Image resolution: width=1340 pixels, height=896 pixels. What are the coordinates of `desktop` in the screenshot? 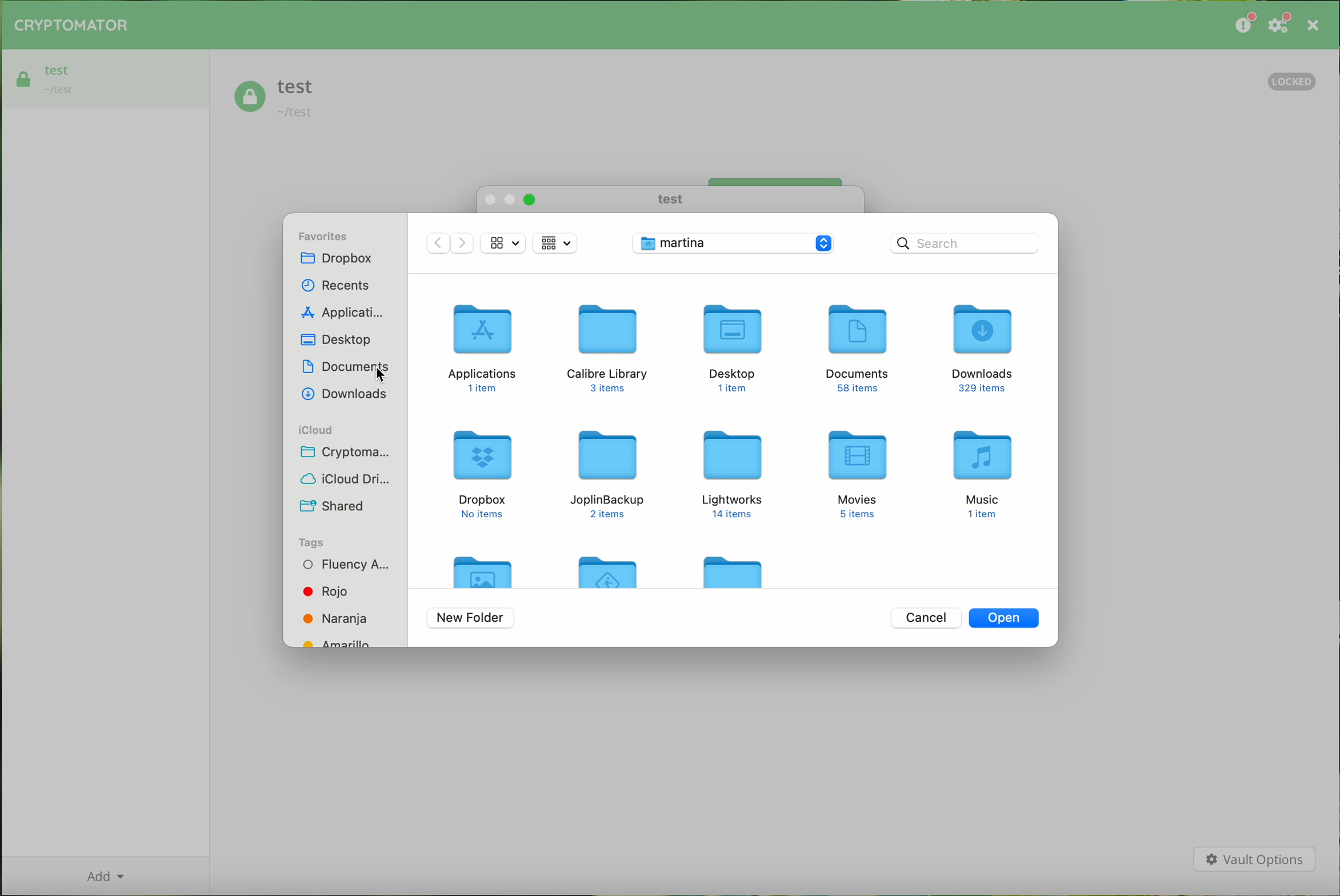 It's located at (339, 341).